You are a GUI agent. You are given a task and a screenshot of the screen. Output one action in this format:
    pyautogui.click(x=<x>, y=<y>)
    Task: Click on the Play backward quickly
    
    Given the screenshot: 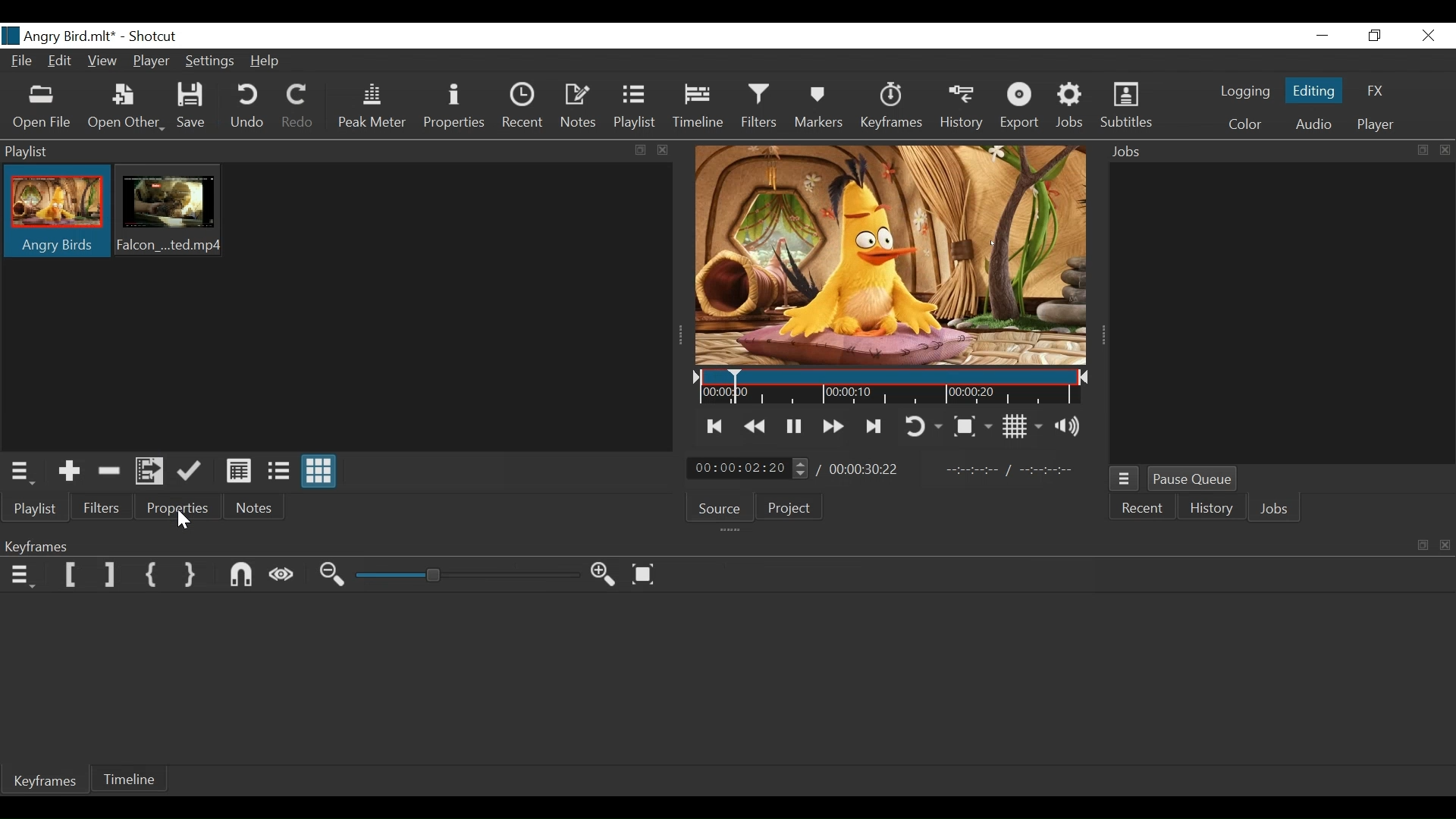 What is the action you would take?
    pyautogui.click(x=755, y=426)
    